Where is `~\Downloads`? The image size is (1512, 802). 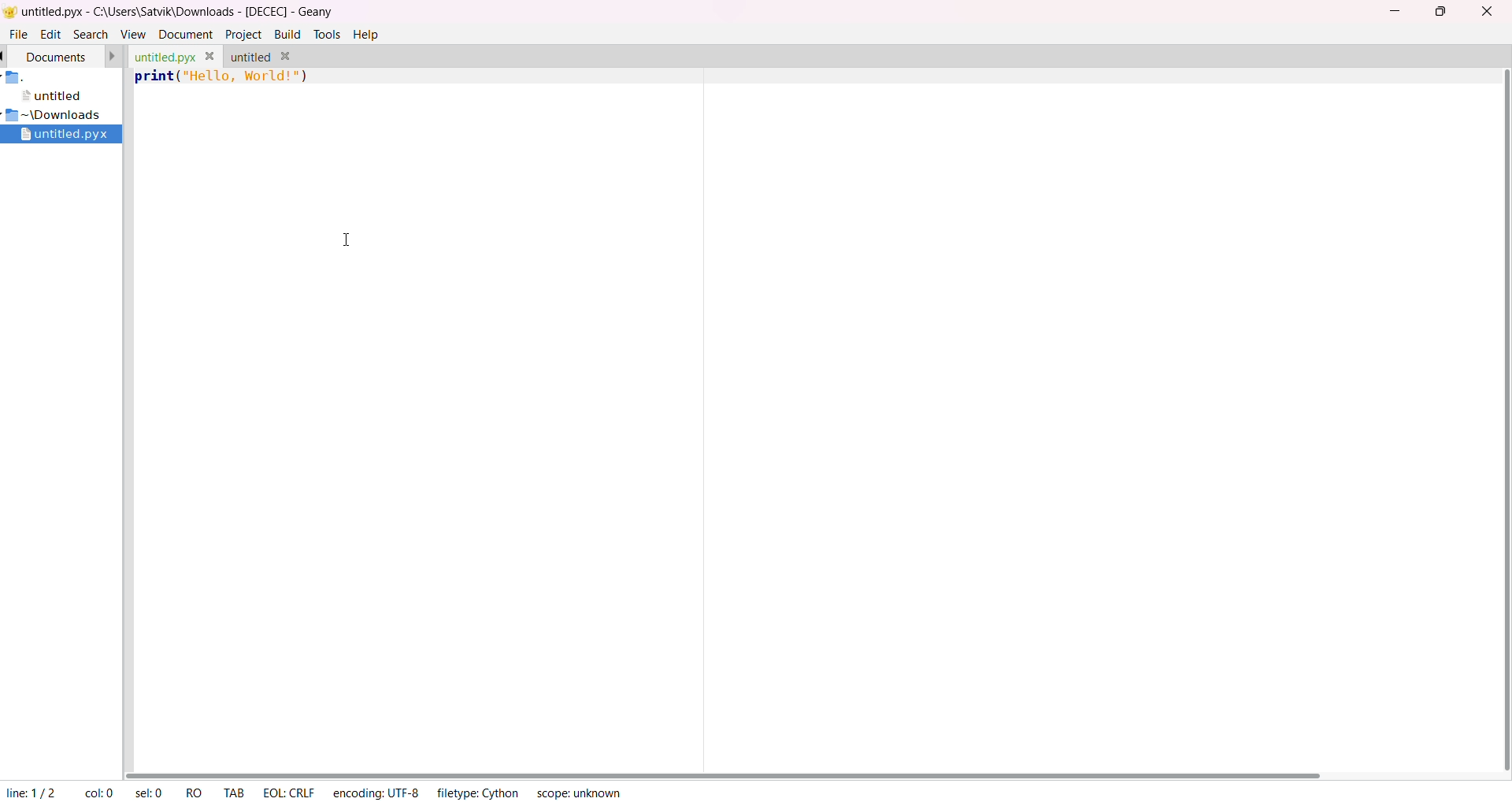
~\Downloads is located at coordinates (53, 113).